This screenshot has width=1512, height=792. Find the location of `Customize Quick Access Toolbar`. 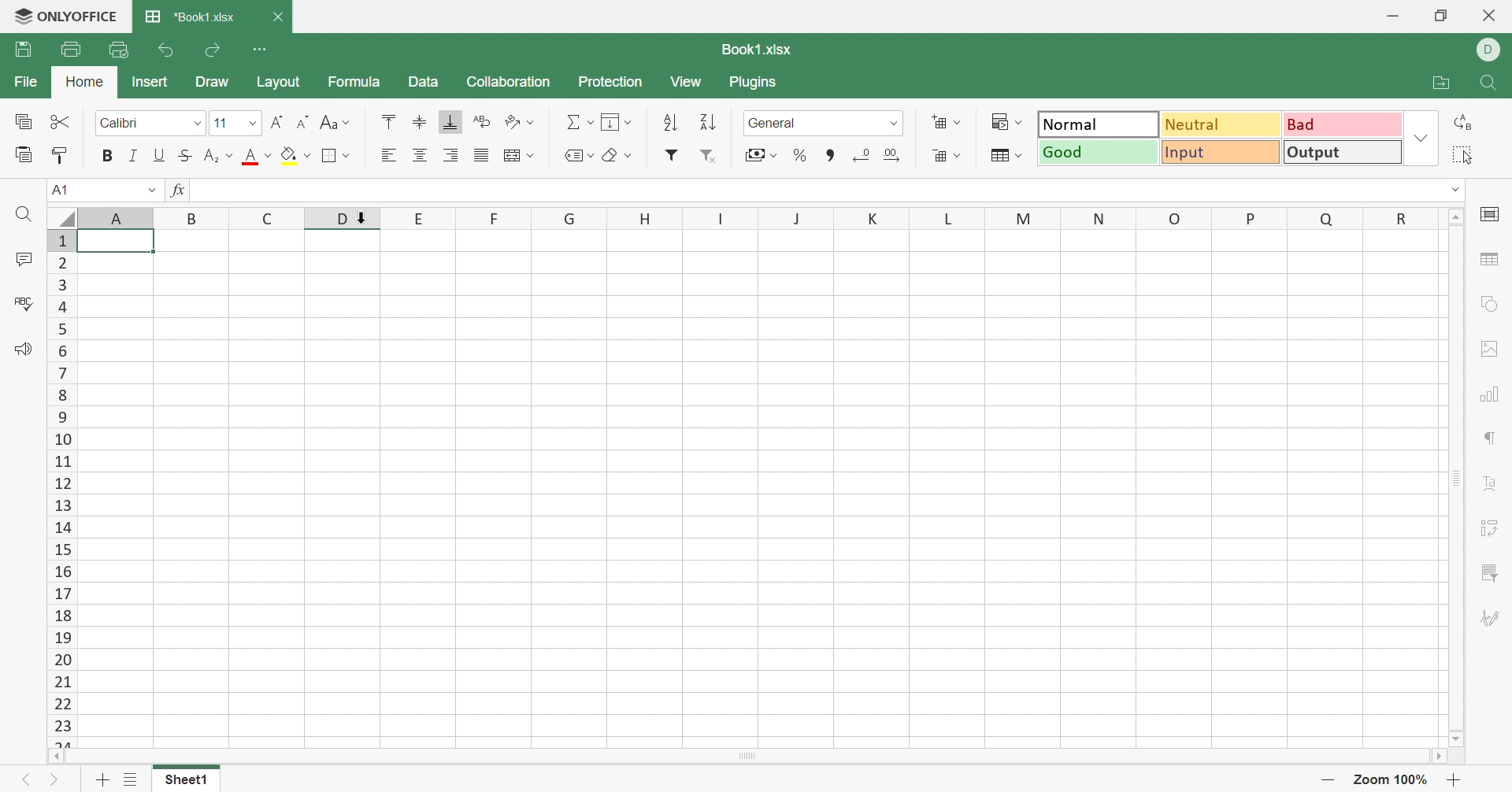

Customize Quick Access Toolbar is located at coordinates (263, 52).